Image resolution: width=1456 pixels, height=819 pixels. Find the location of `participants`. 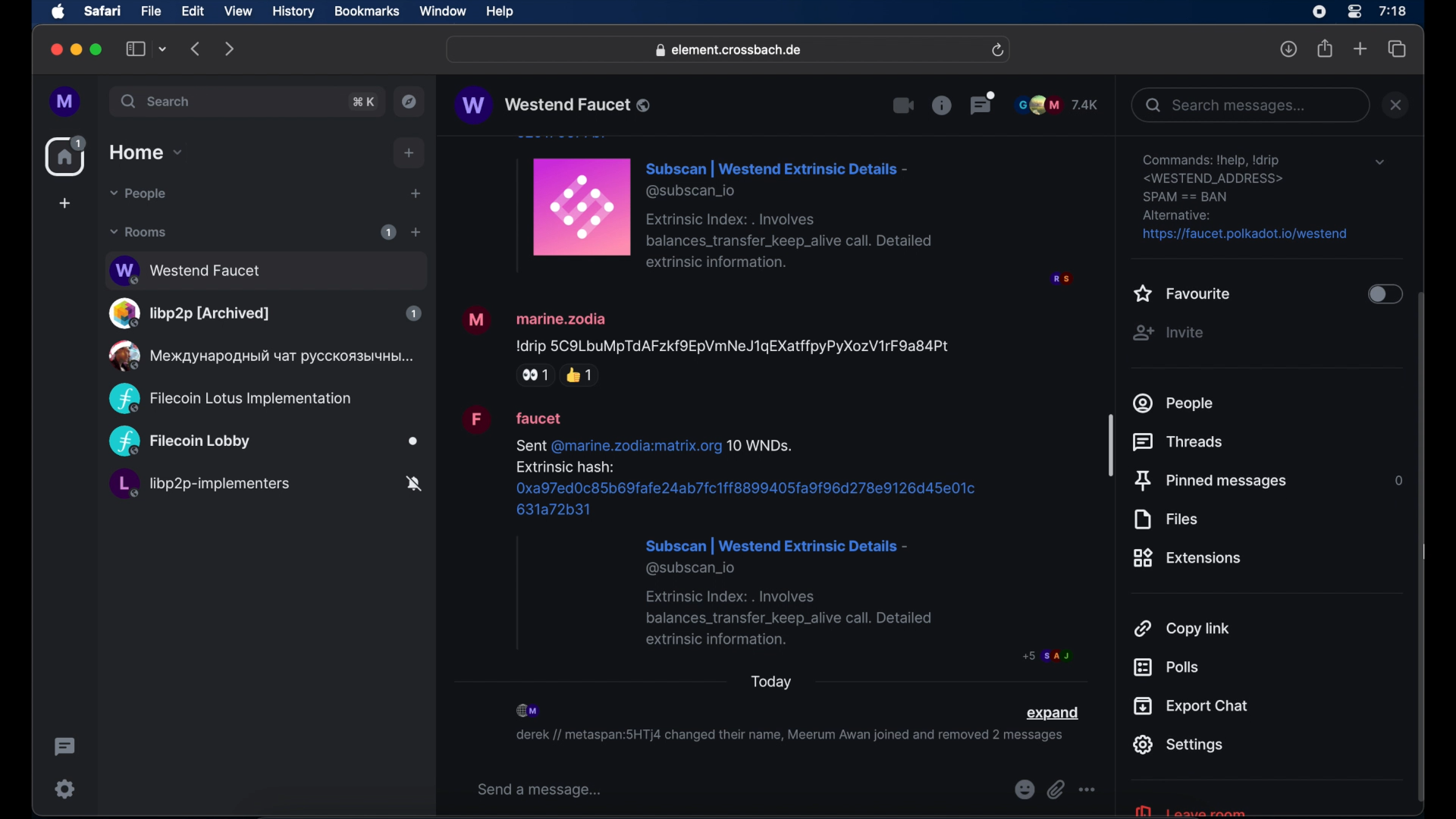

participants is located at coordinates (529, 711).